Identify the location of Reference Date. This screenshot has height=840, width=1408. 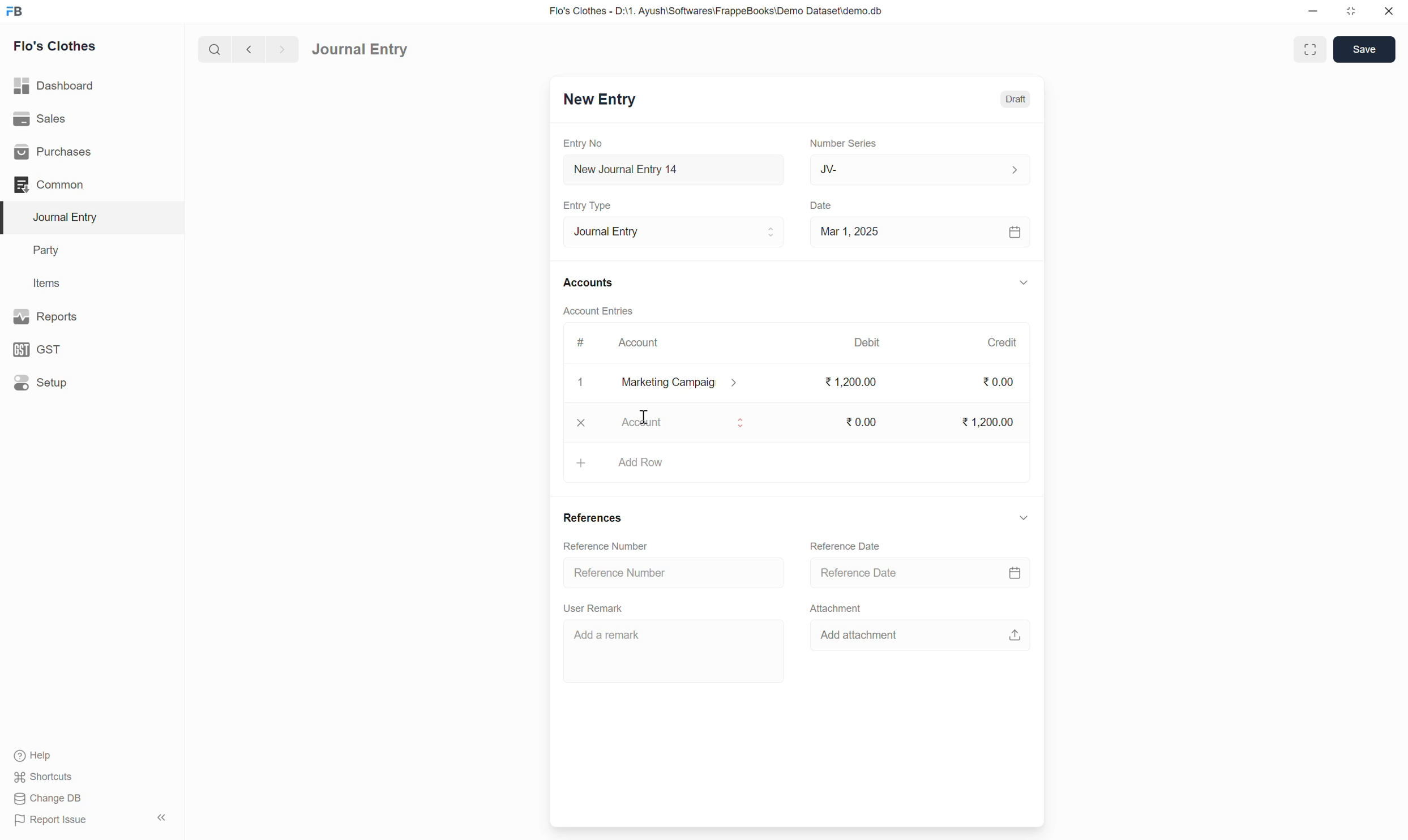
(847, 545).